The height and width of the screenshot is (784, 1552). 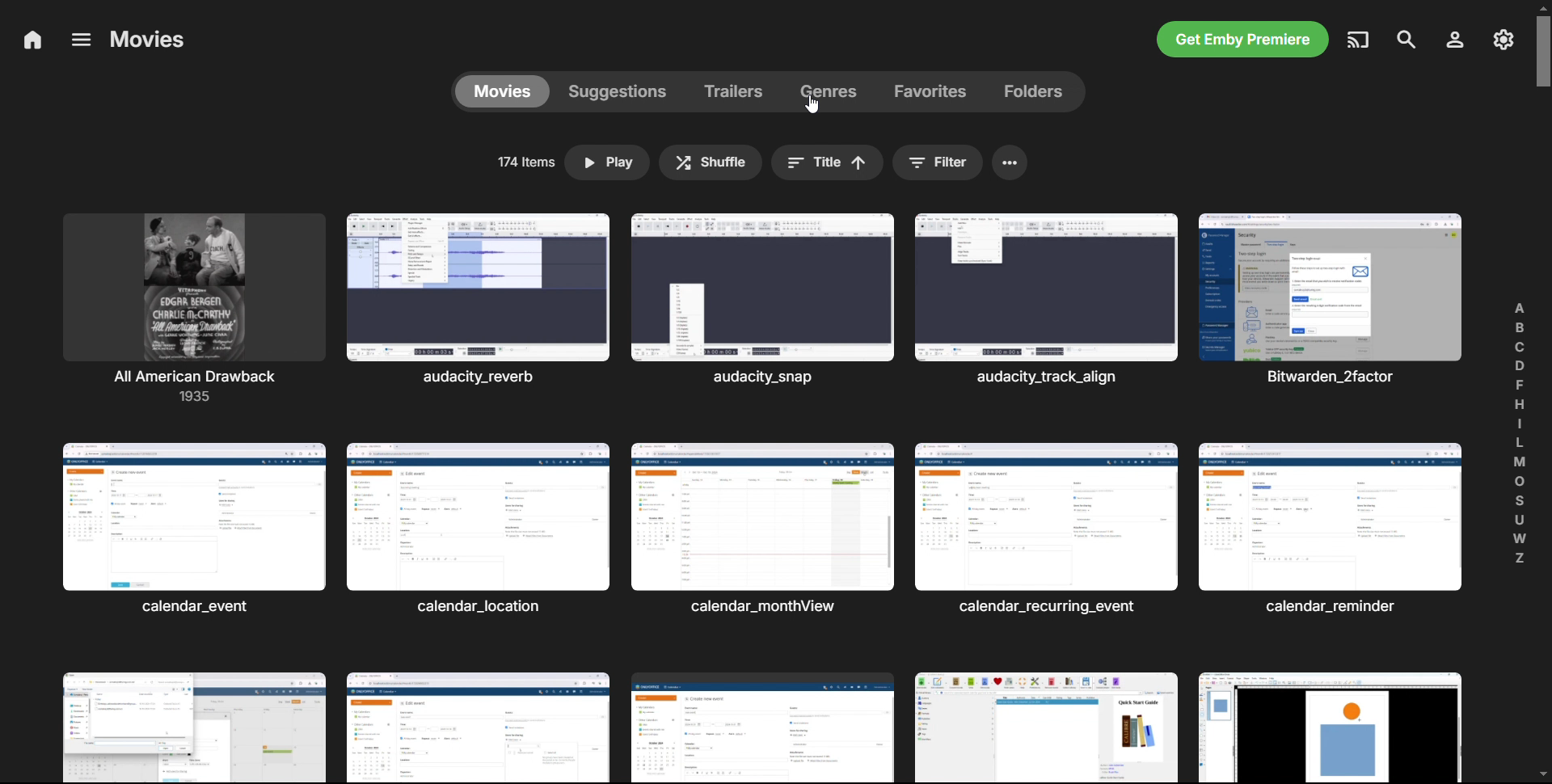 I want to click on movies, so click(x=504, y=91).